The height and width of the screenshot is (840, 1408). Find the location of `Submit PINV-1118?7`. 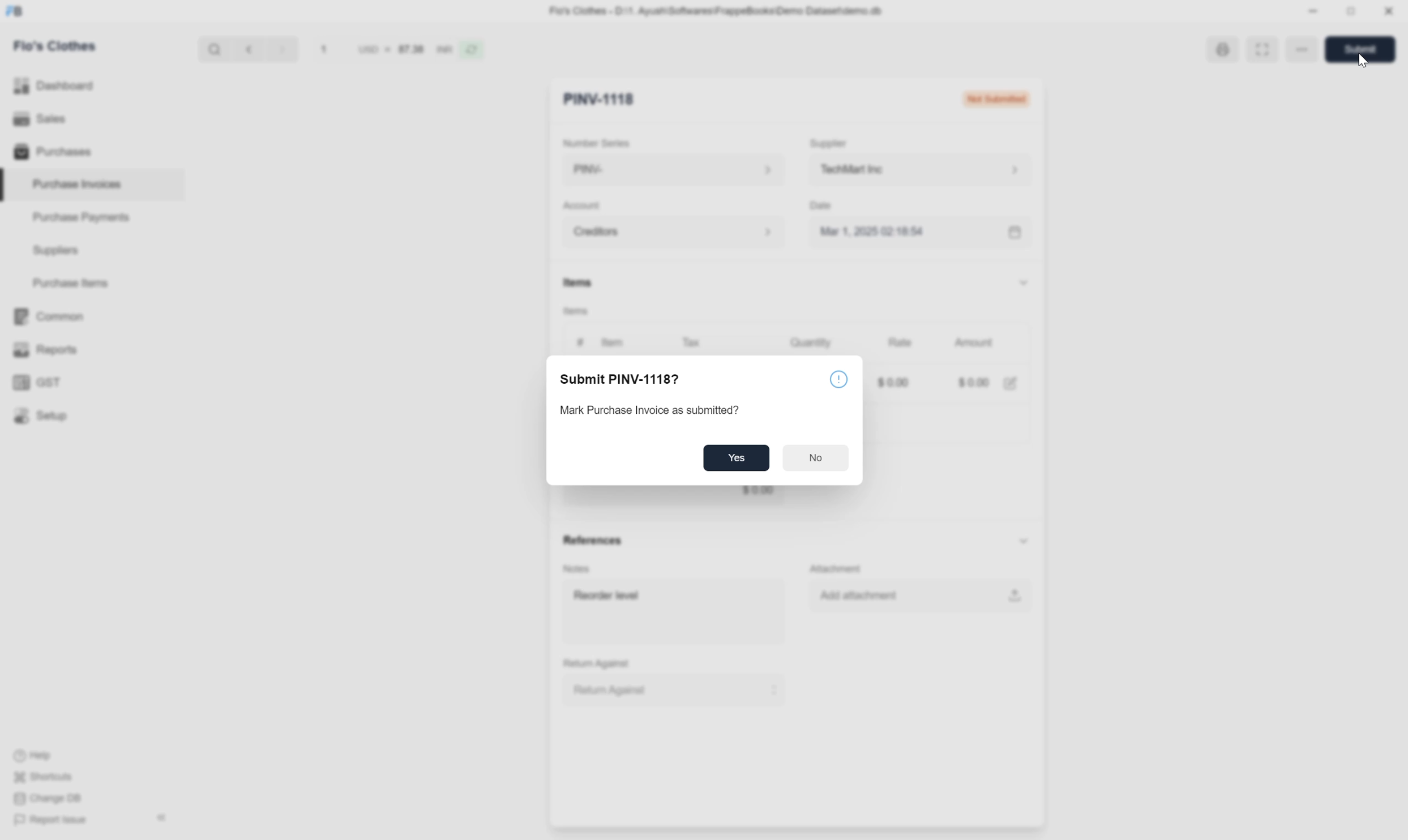

Submit PINV-1118?7 is located at coordinates (628, 379).